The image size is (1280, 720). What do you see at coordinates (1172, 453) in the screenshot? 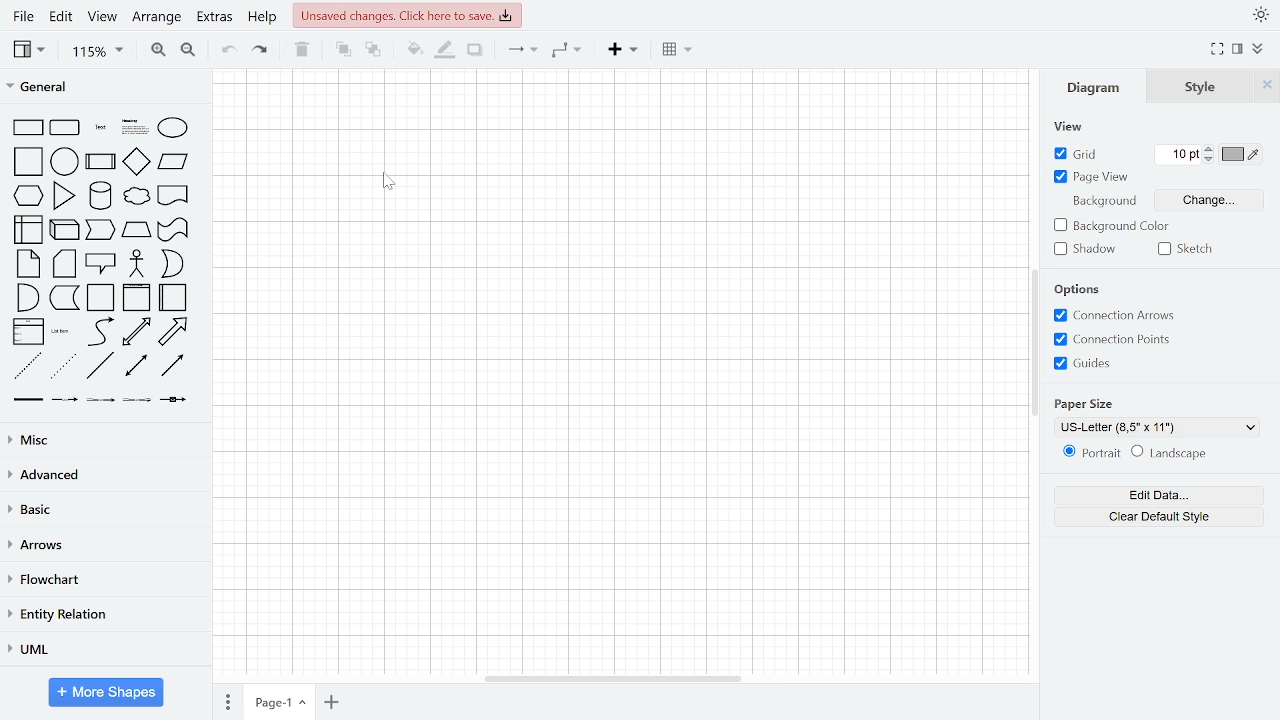
I see `landscape` at bounding box center [1172, 453].